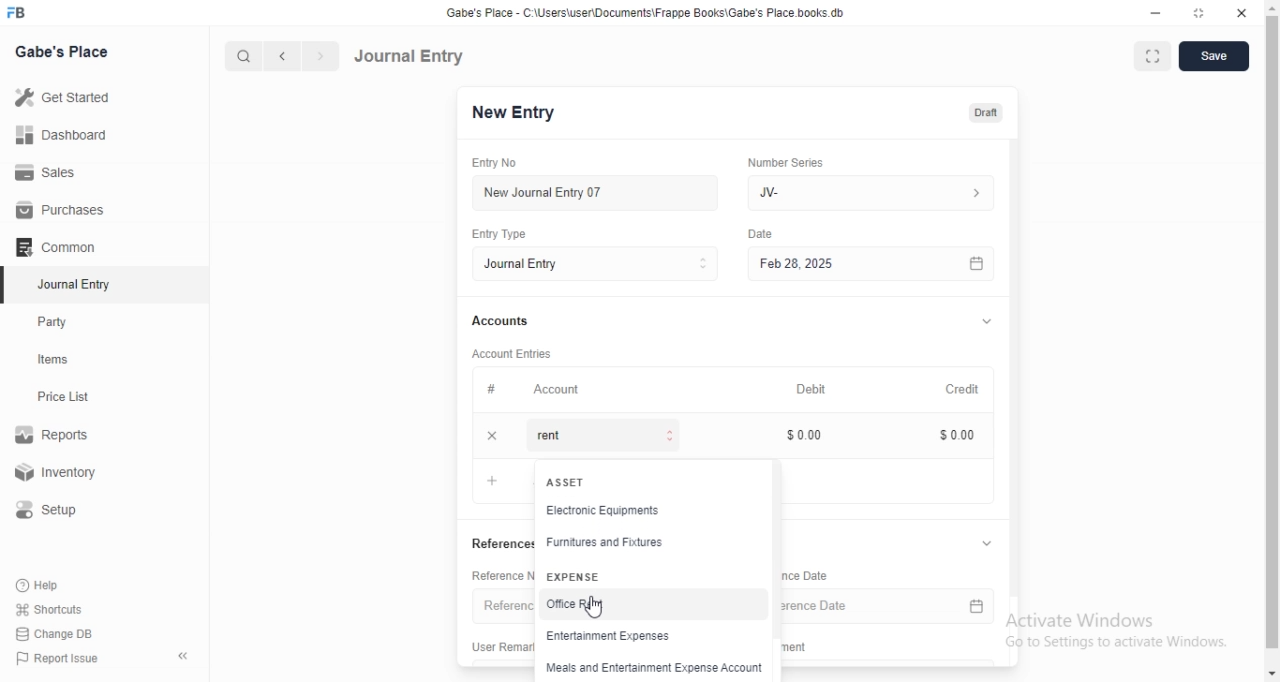  What do you see at coordinates (496, 645) in the screenshot?
I see `User Remark` at bounding box center [496, 645].